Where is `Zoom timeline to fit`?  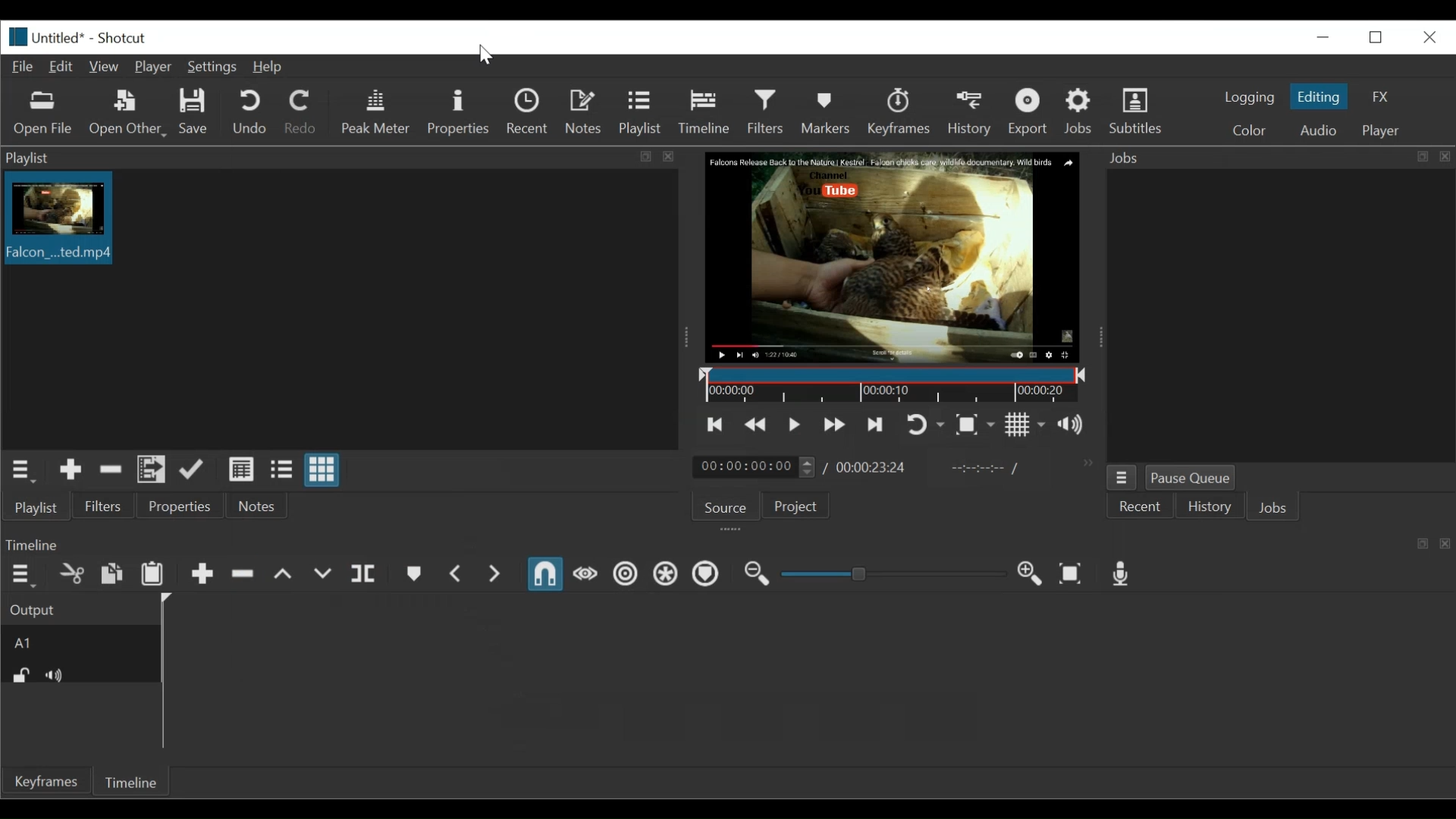 Zoom timeline to fit is located at coordinates (1075, 575).